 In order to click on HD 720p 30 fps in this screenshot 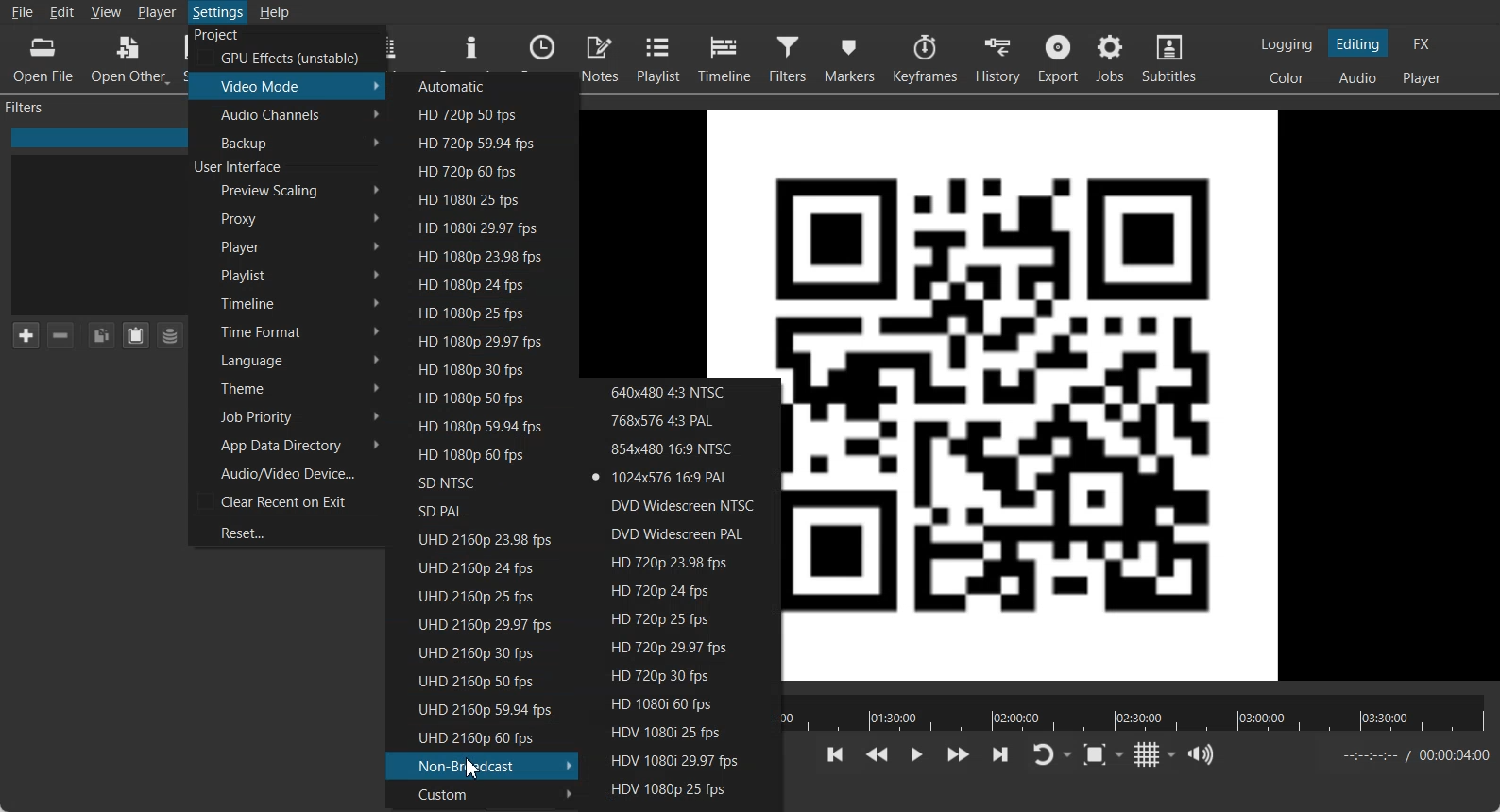, I will do `click(680, 678)`.